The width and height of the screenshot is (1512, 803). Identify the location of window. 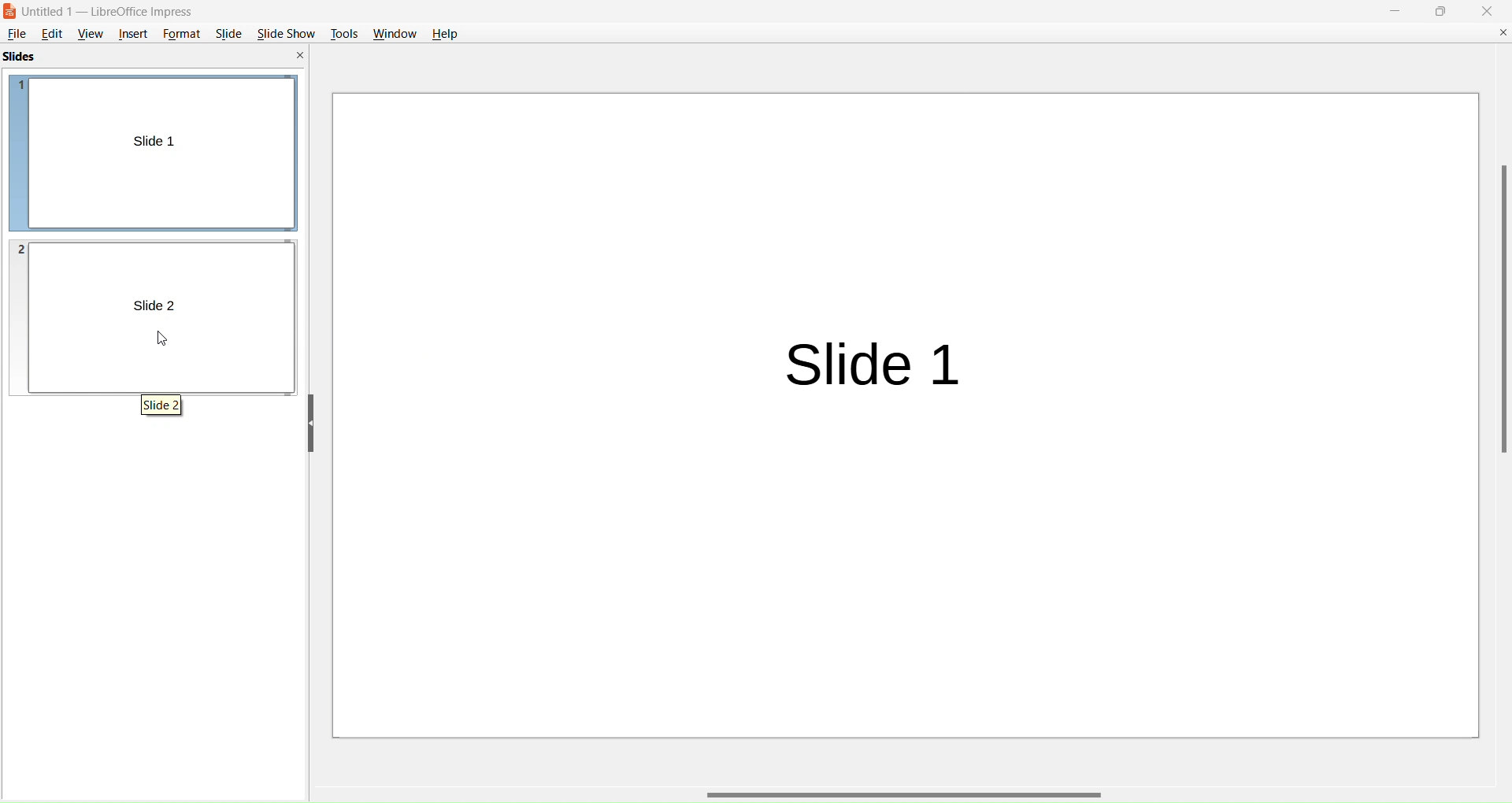
(392, 33).